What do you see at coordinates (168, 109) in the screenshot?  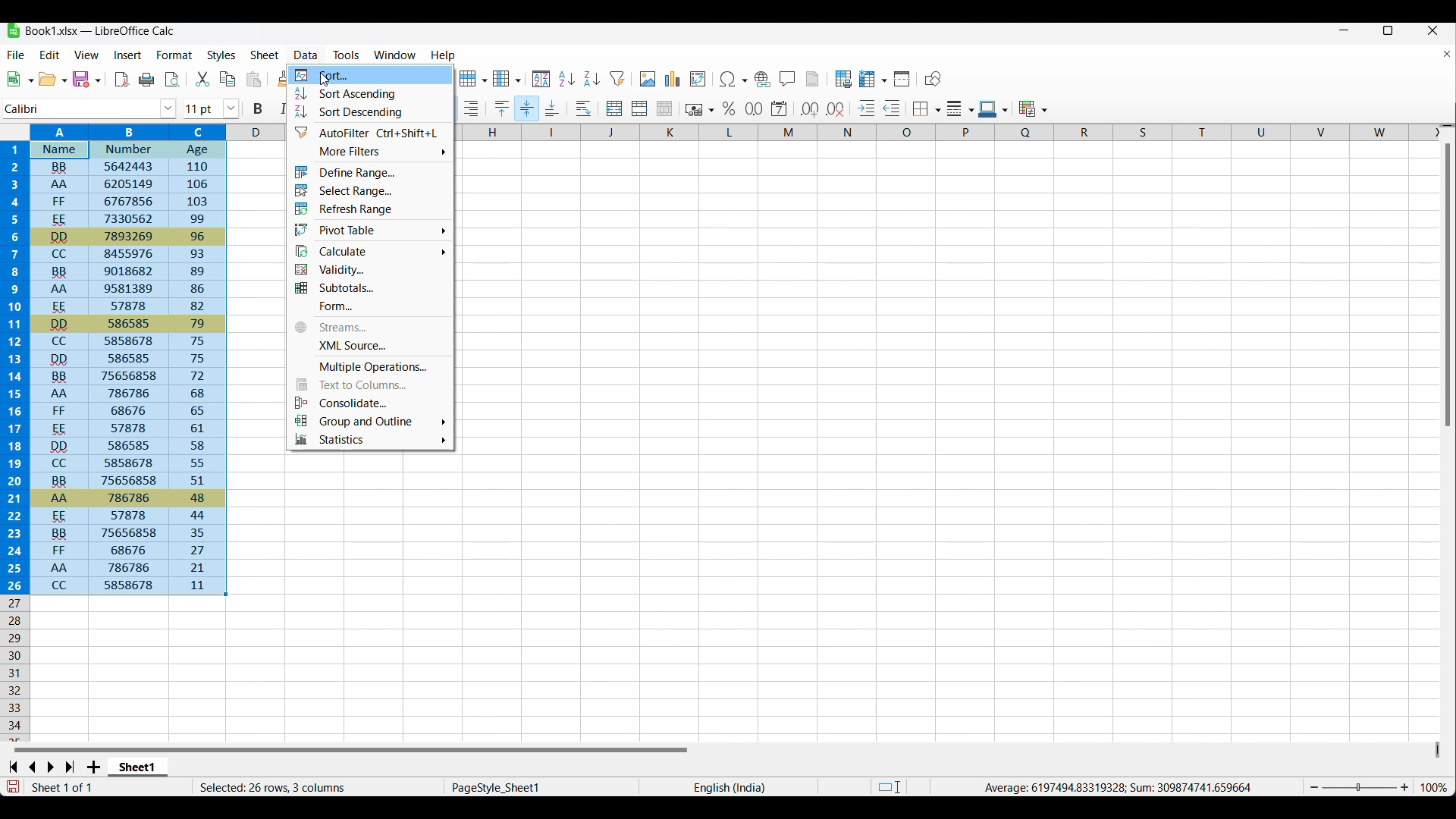 I see `Font options` at bounding box center [168, 109].